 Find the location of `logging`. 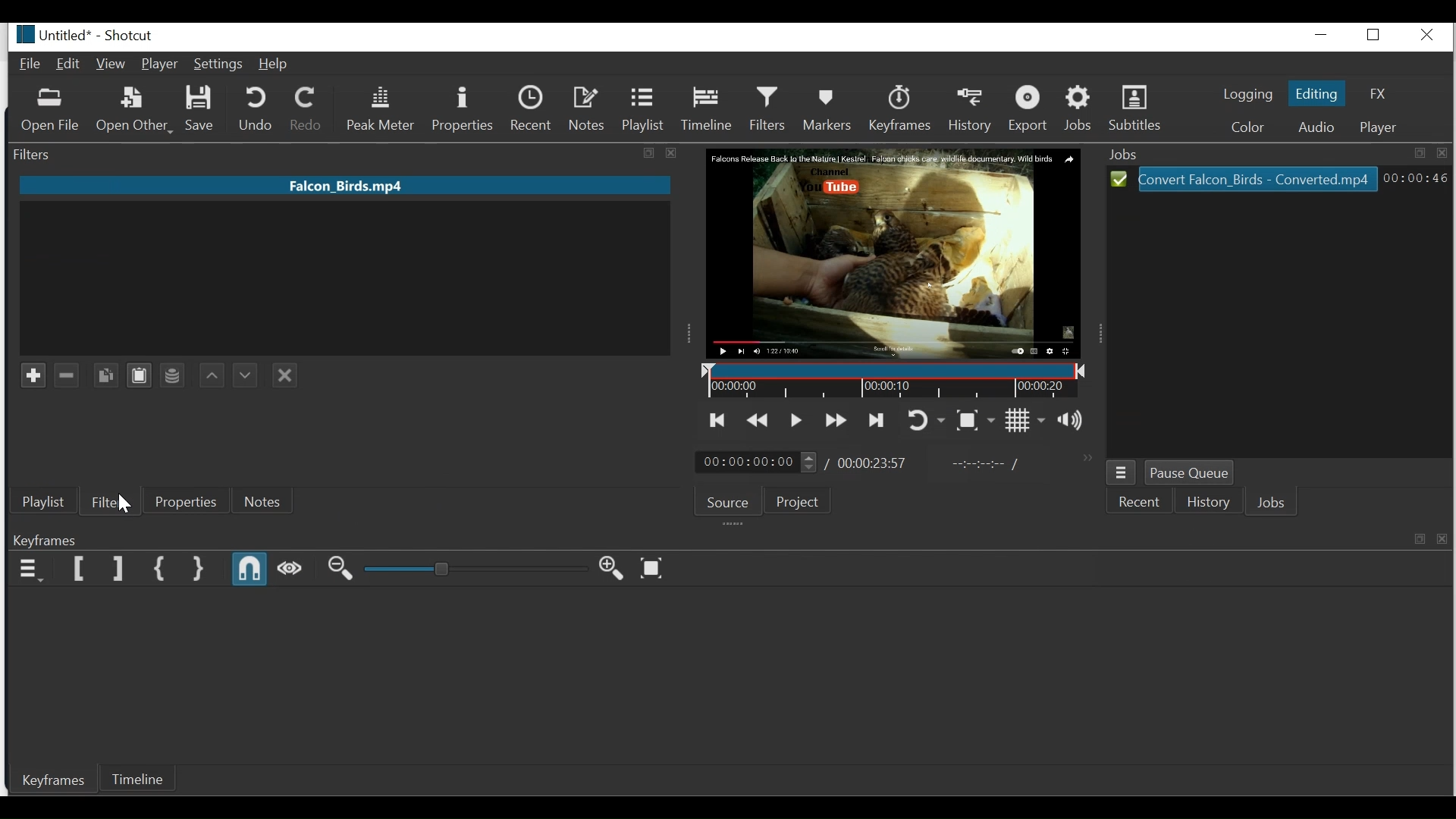

logging is located at coordinates (1245, 96).